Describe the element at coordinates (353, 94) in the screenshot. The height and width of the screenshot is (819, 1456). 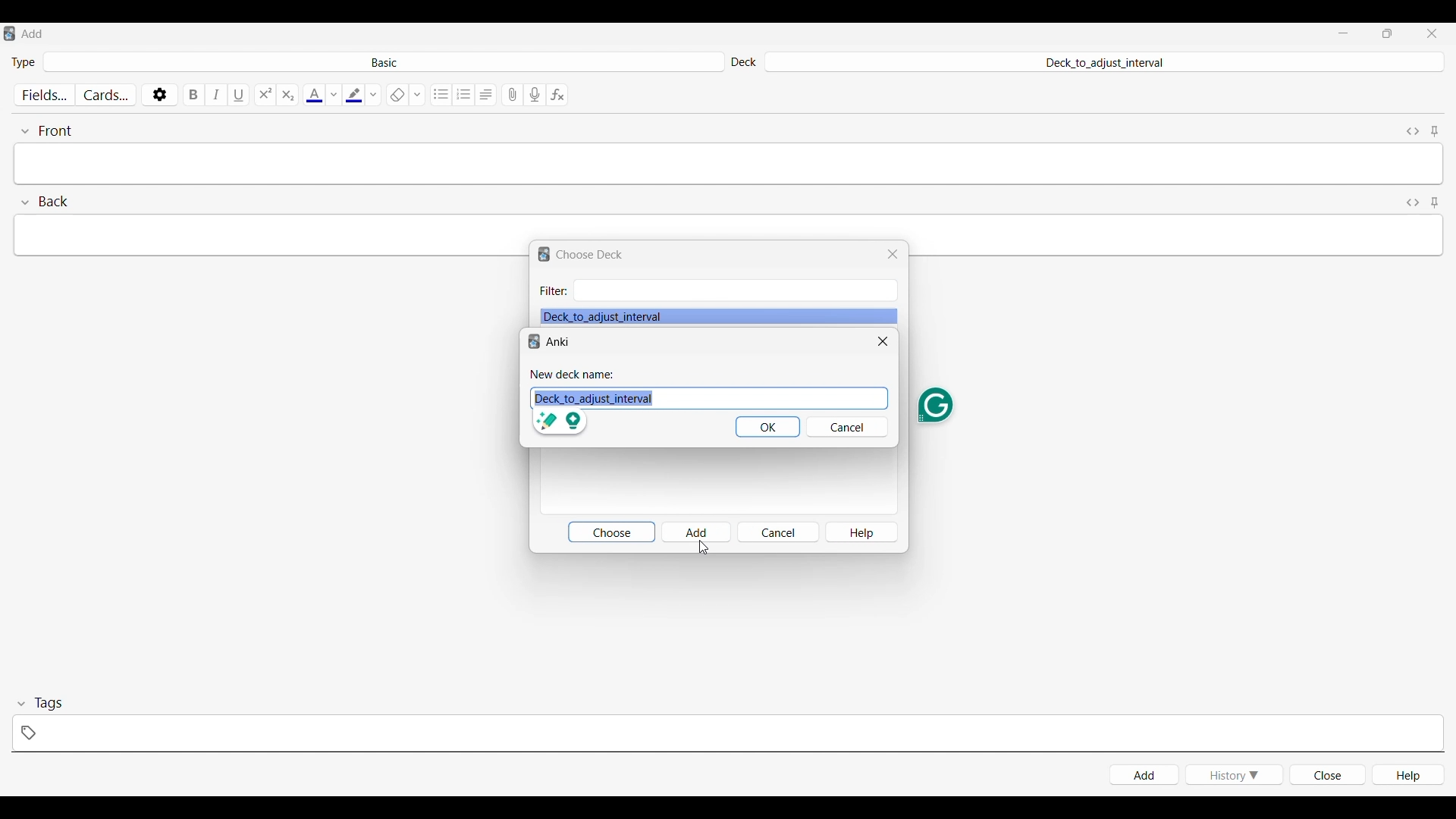
I see `Selected highlight color` at that location.